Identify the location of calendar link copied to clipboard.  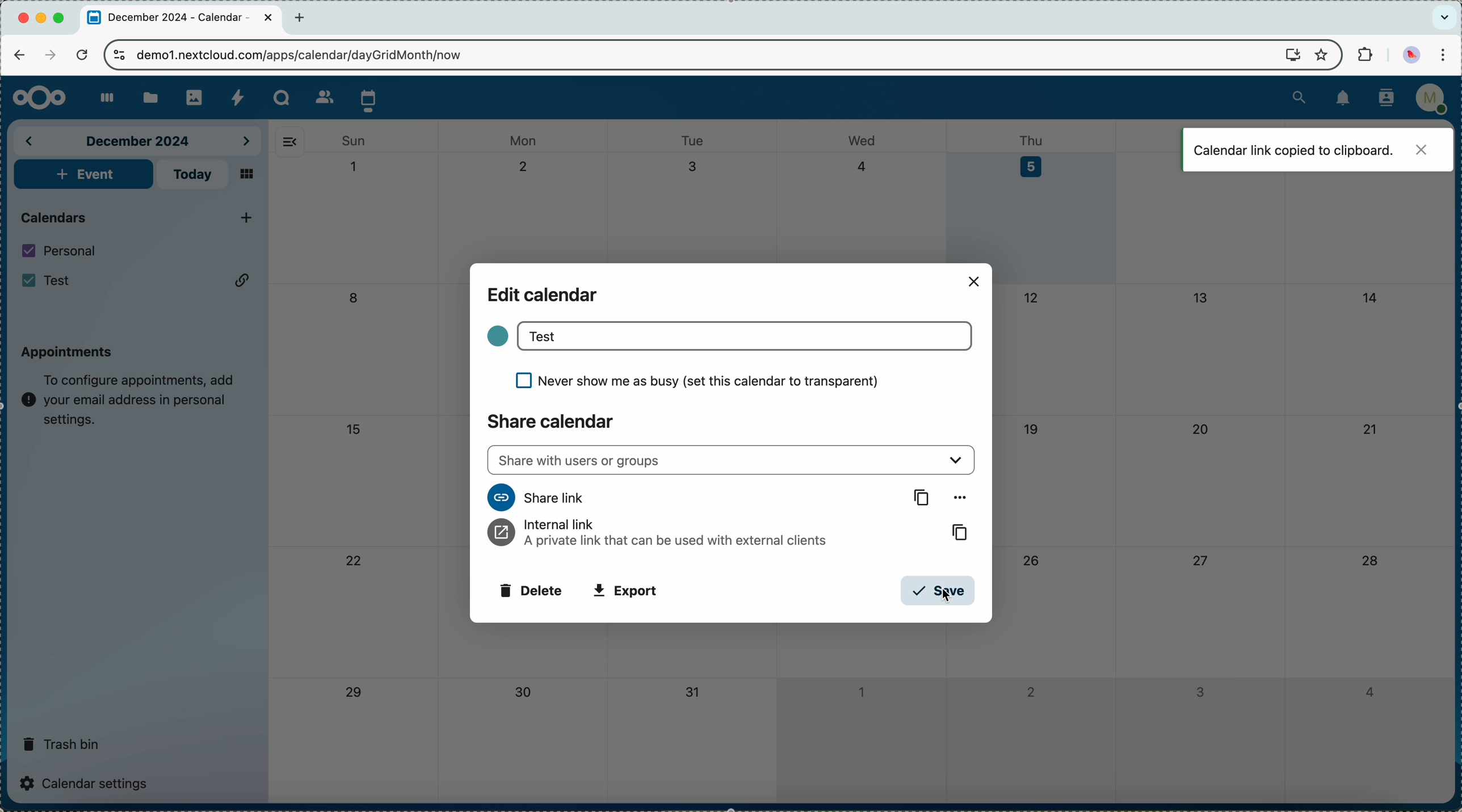
(1317, 149).